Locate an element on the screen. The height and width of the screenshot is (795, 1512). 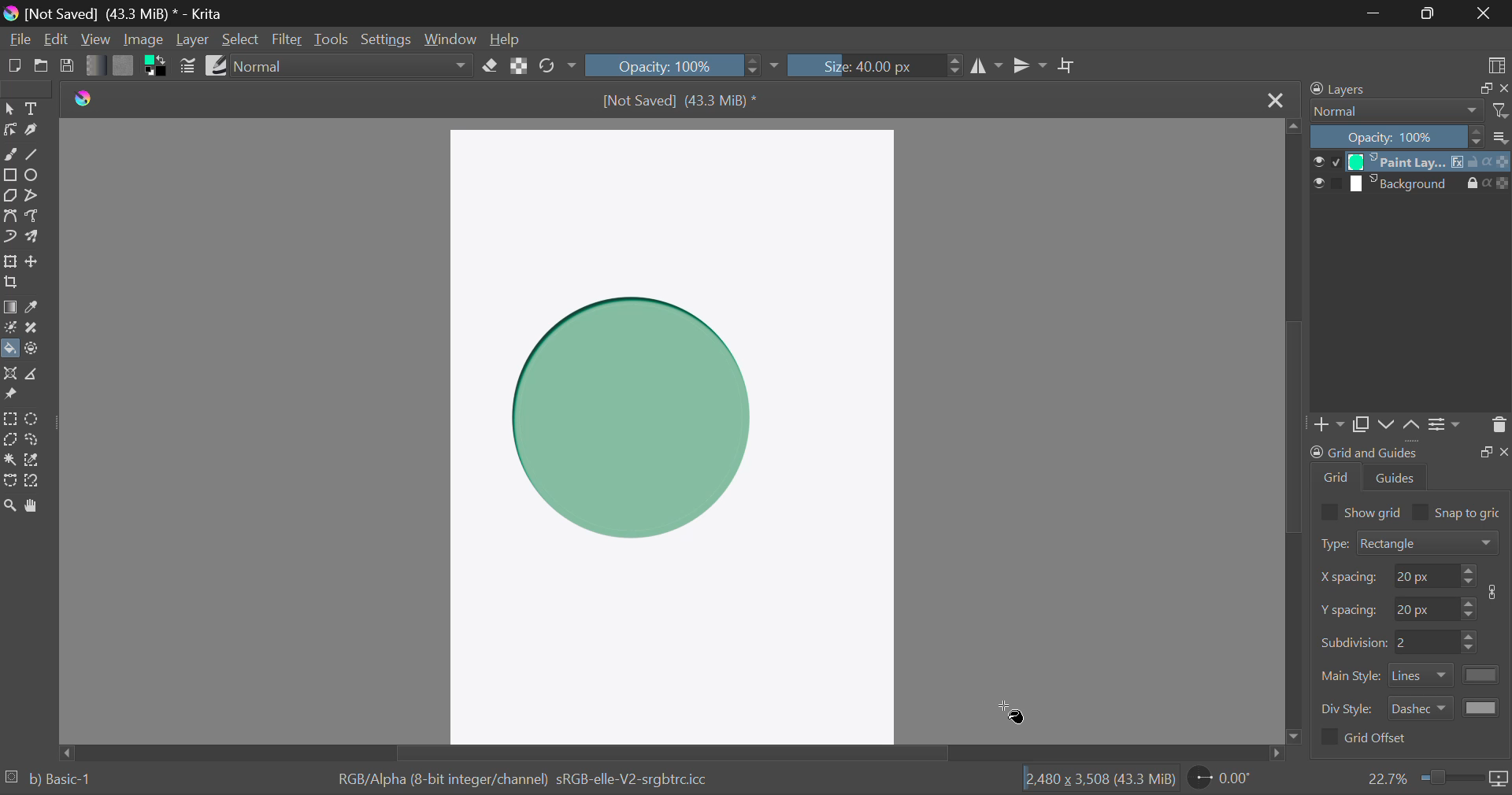
Shadow generated in shape is located at coordinates (635, 427).